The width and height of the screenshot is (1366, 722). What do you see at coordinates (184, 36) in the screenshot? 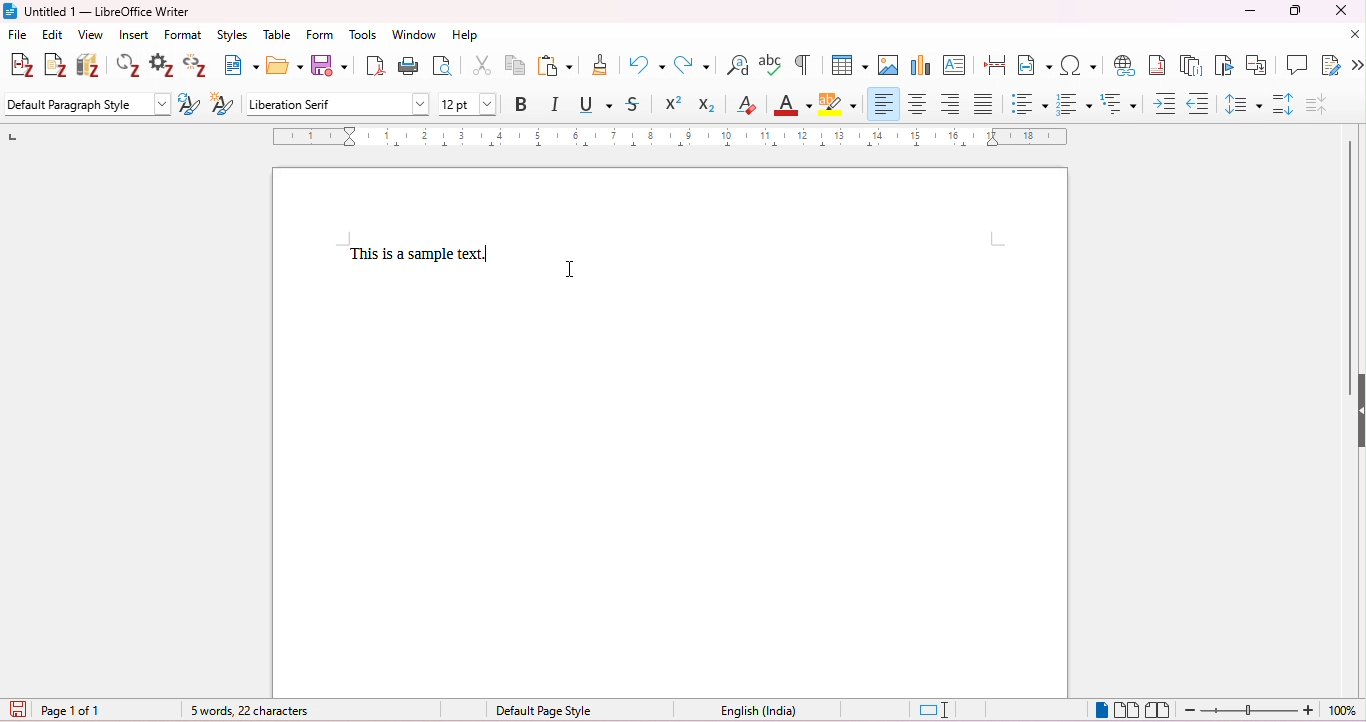
I see `format` at bounding box center [184, 36].